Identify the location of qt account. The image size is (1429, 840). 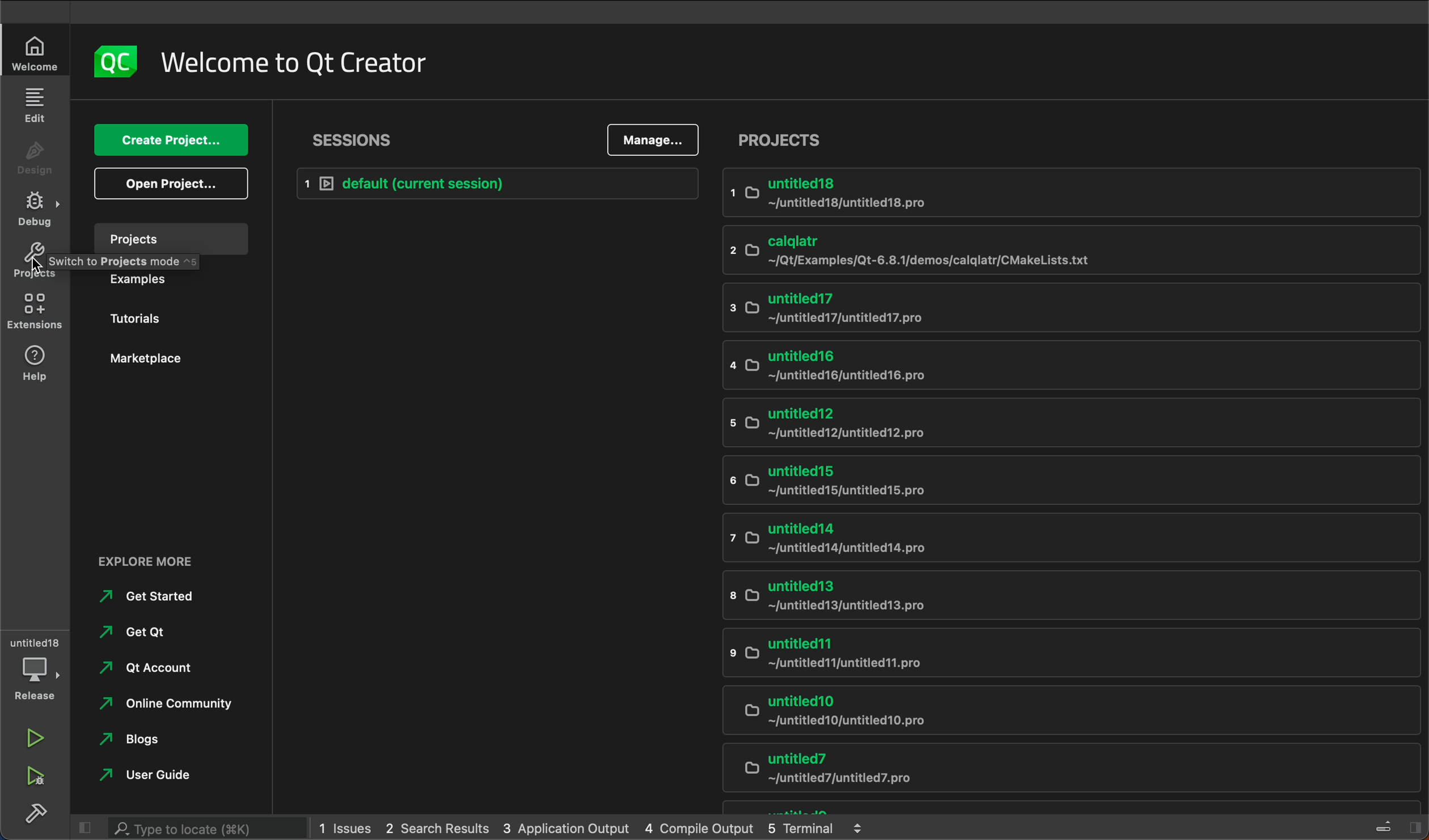
(152, 670).